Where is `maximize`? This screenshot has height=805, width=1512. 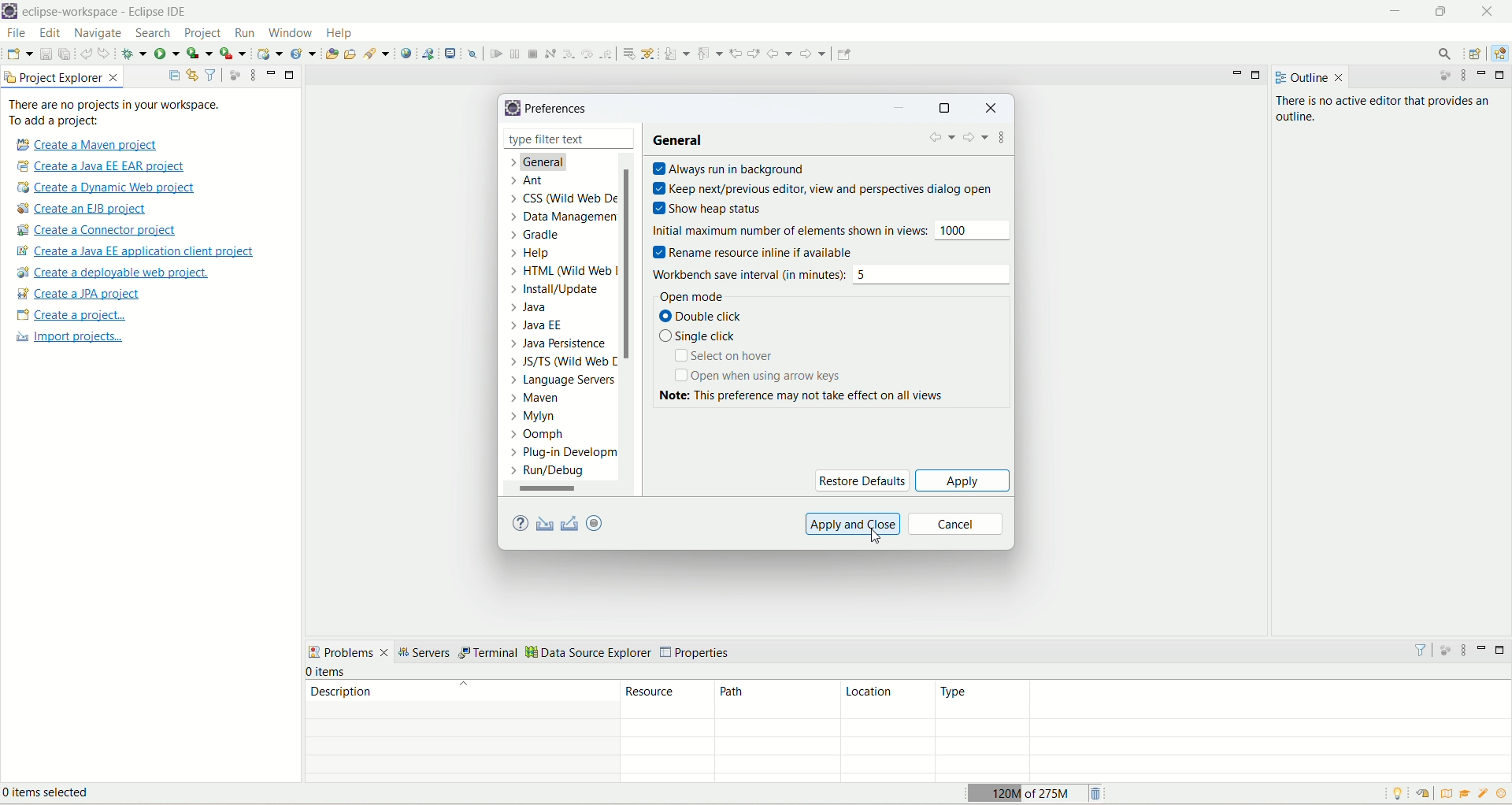 maximize is located at coordinates (1444, 14).